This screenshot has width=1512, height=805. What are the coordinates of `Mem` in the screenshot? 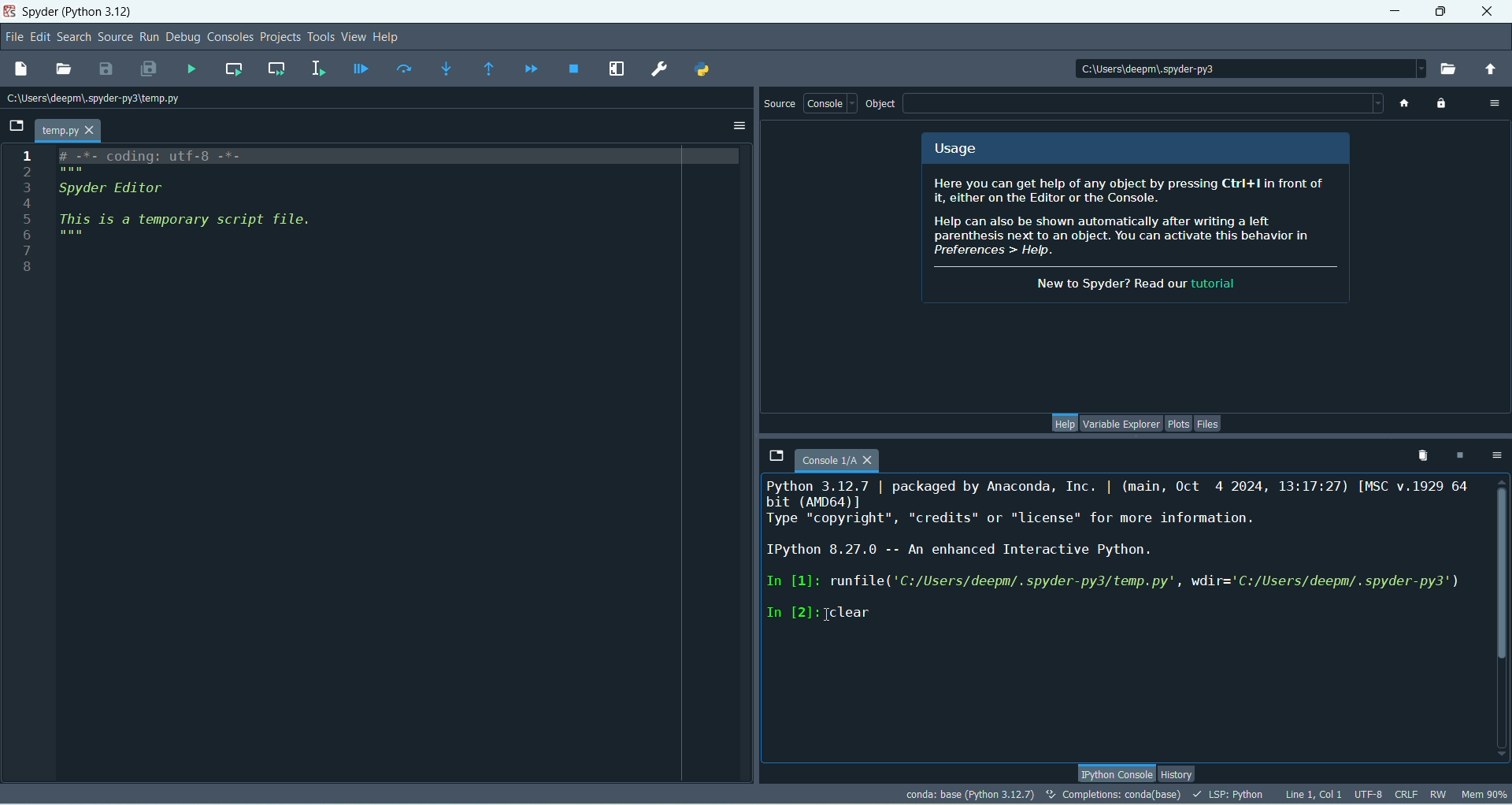 It's located at (1484, 796).